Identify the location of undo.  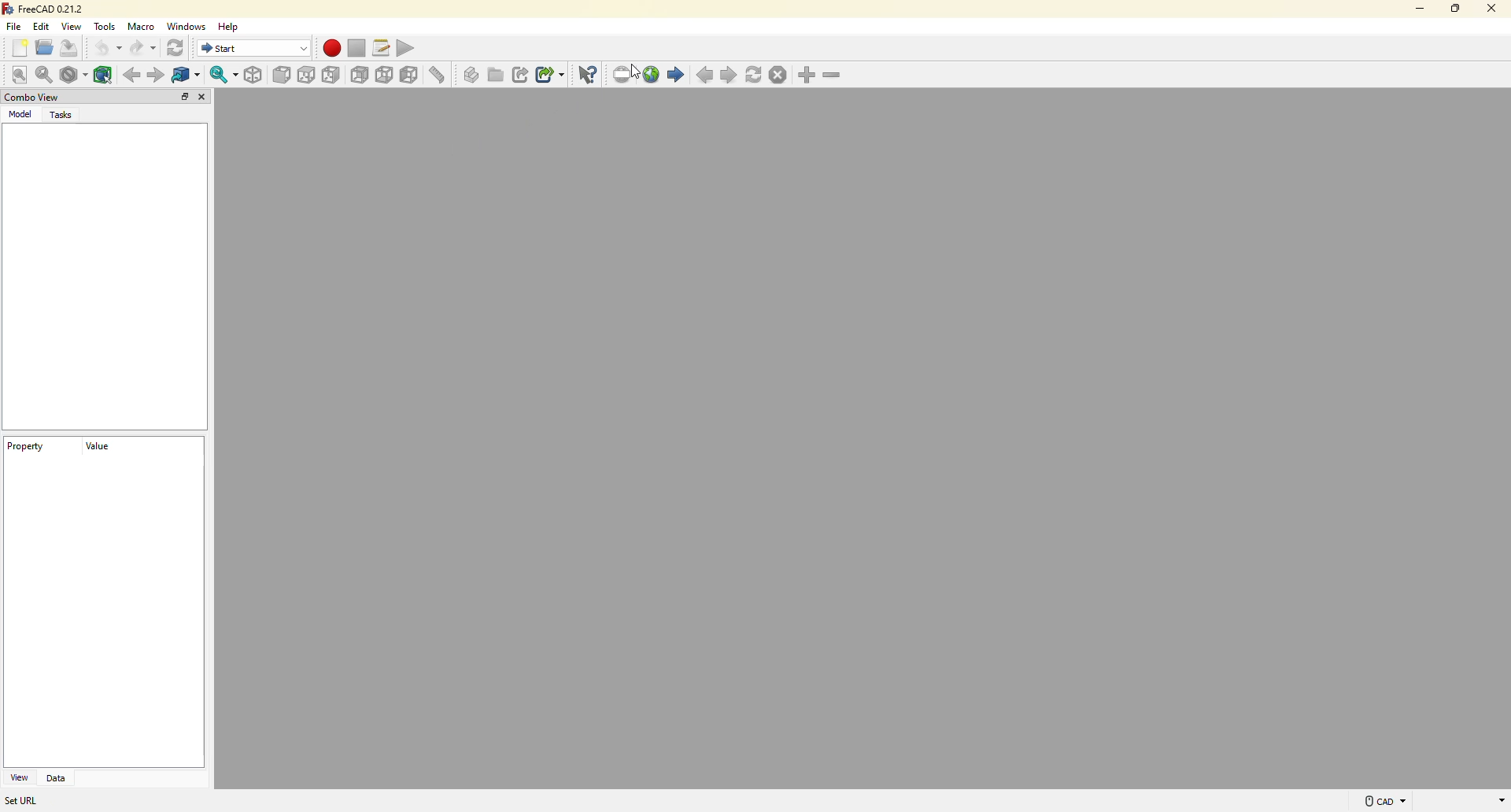
(108, 49).